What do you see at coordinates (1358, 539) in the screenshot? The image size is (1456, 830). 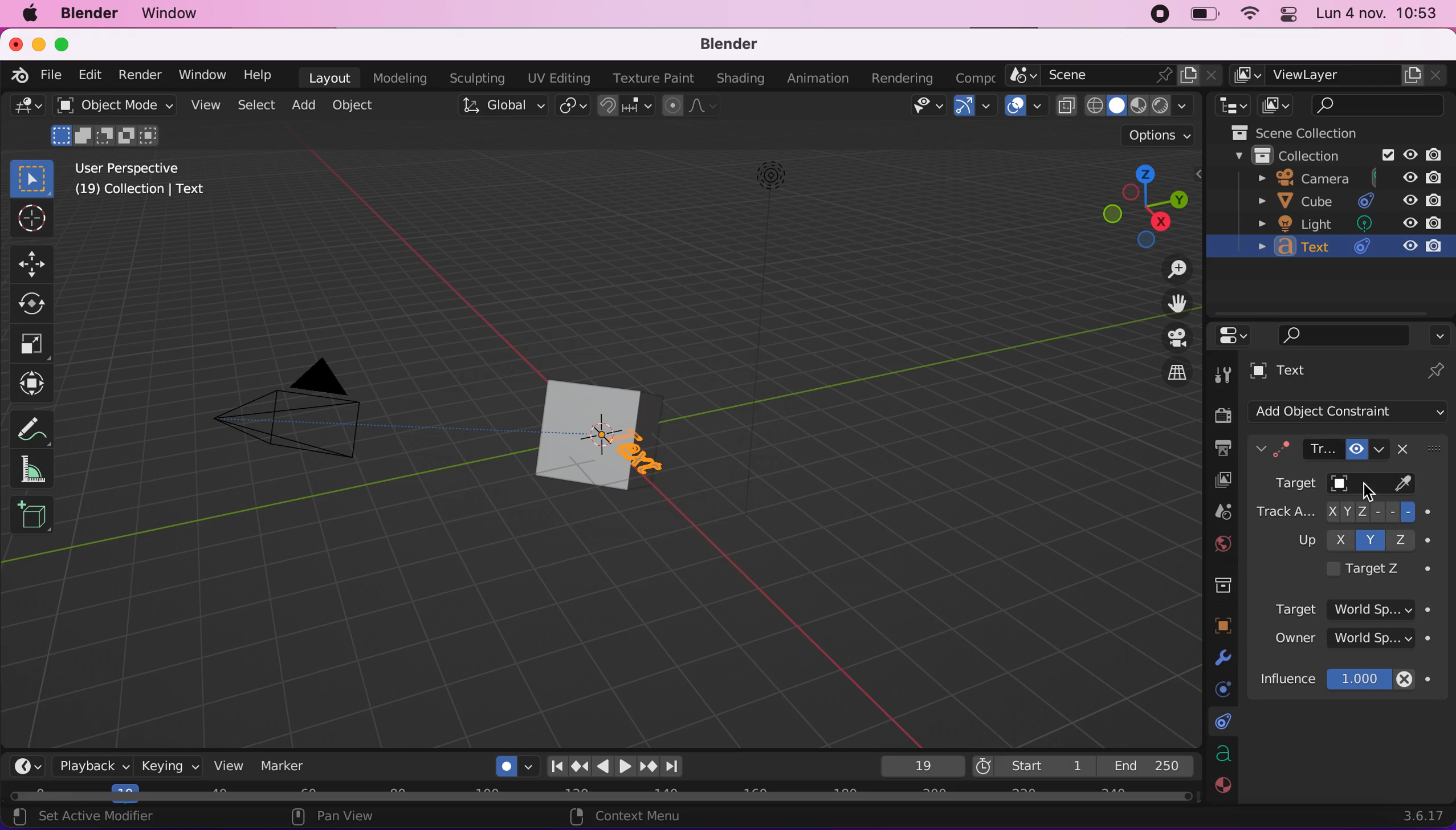 I see `up x y z` at bounding box center [1358, 539].